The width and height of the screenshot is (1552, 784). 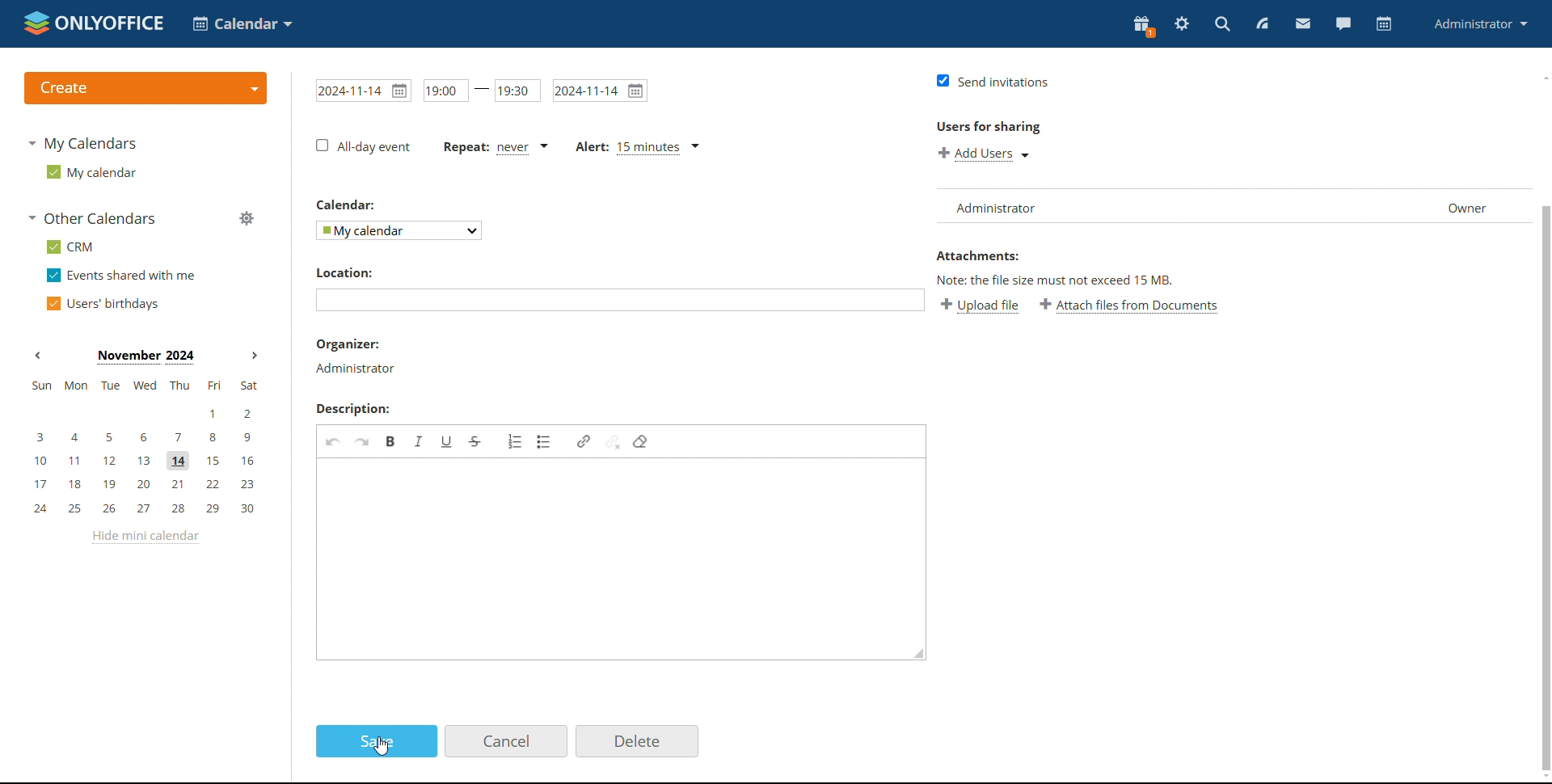 What do you see at coordinates (382, 748) in the screenshot?
I see `cursor` at bounding box center [382, 748].